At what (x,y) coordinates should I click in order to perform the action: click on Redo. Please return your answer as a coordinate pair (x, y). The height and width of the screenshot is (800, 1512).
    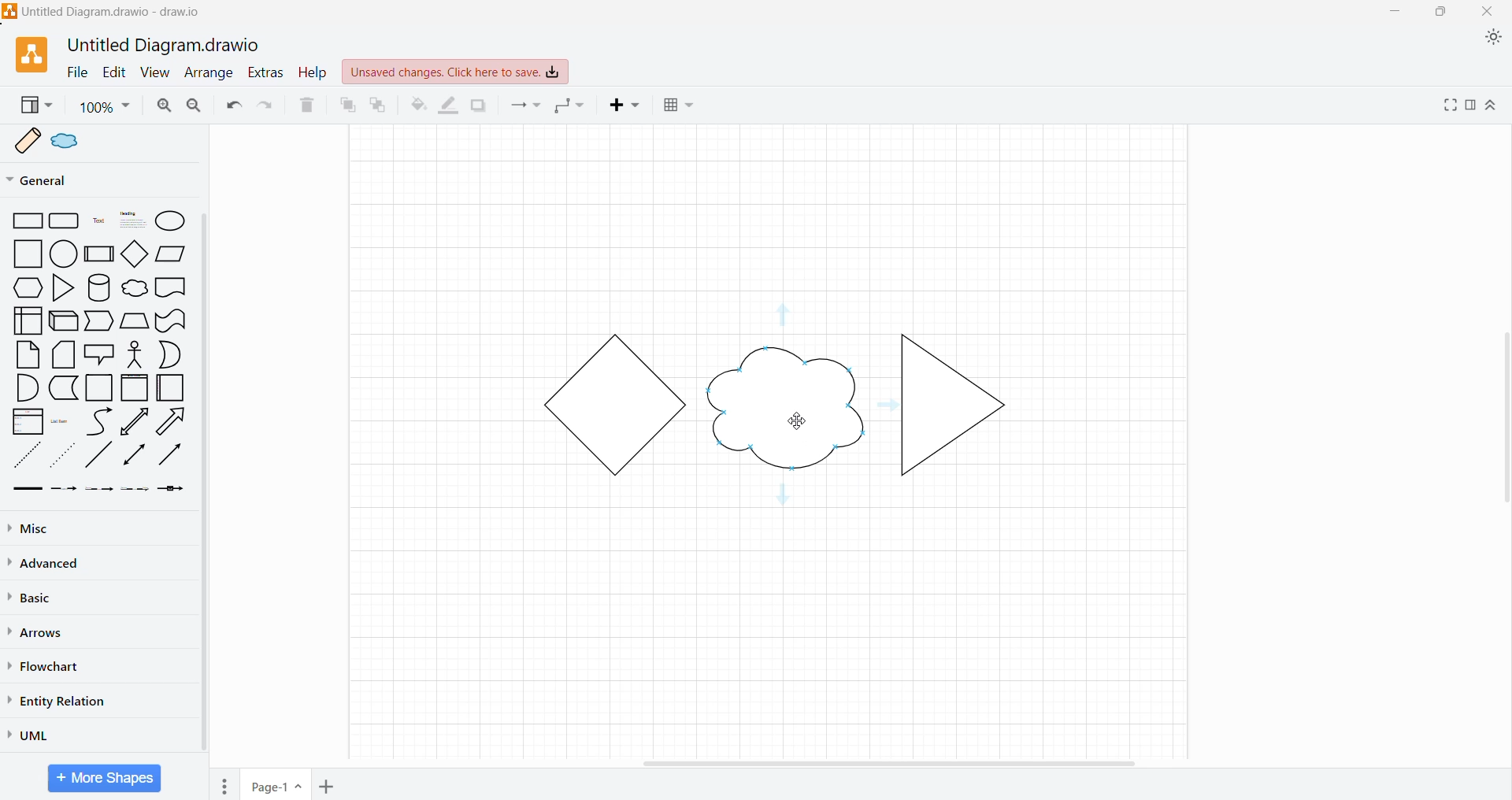
    Looking at the image, I should click on (267, 107).